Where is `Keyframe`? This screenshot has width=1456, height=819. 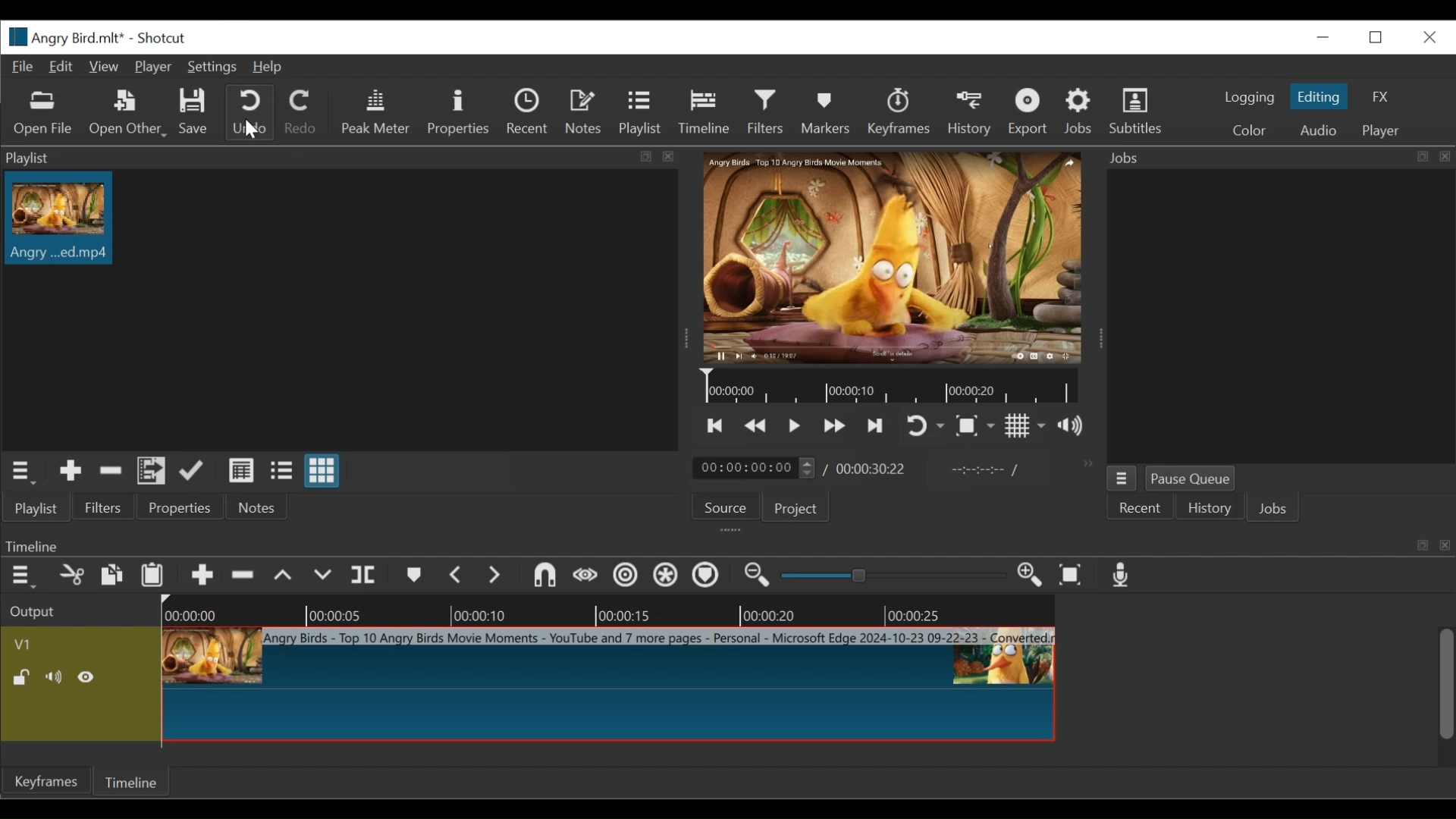 Keyframe is located at coordinates (45, 783).